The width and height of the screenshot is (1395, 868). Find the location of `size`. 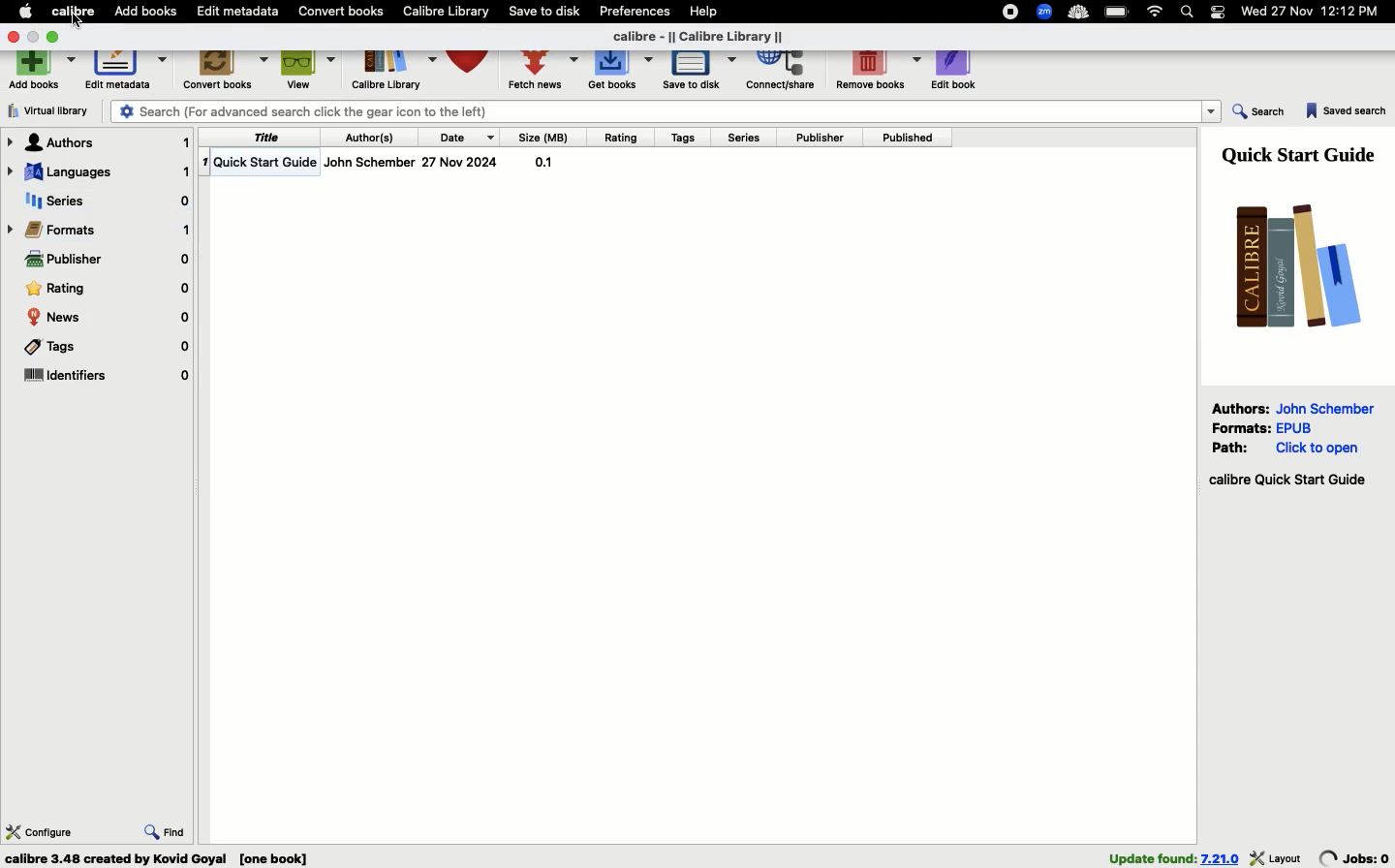

size is located at coordinates (543, 162).